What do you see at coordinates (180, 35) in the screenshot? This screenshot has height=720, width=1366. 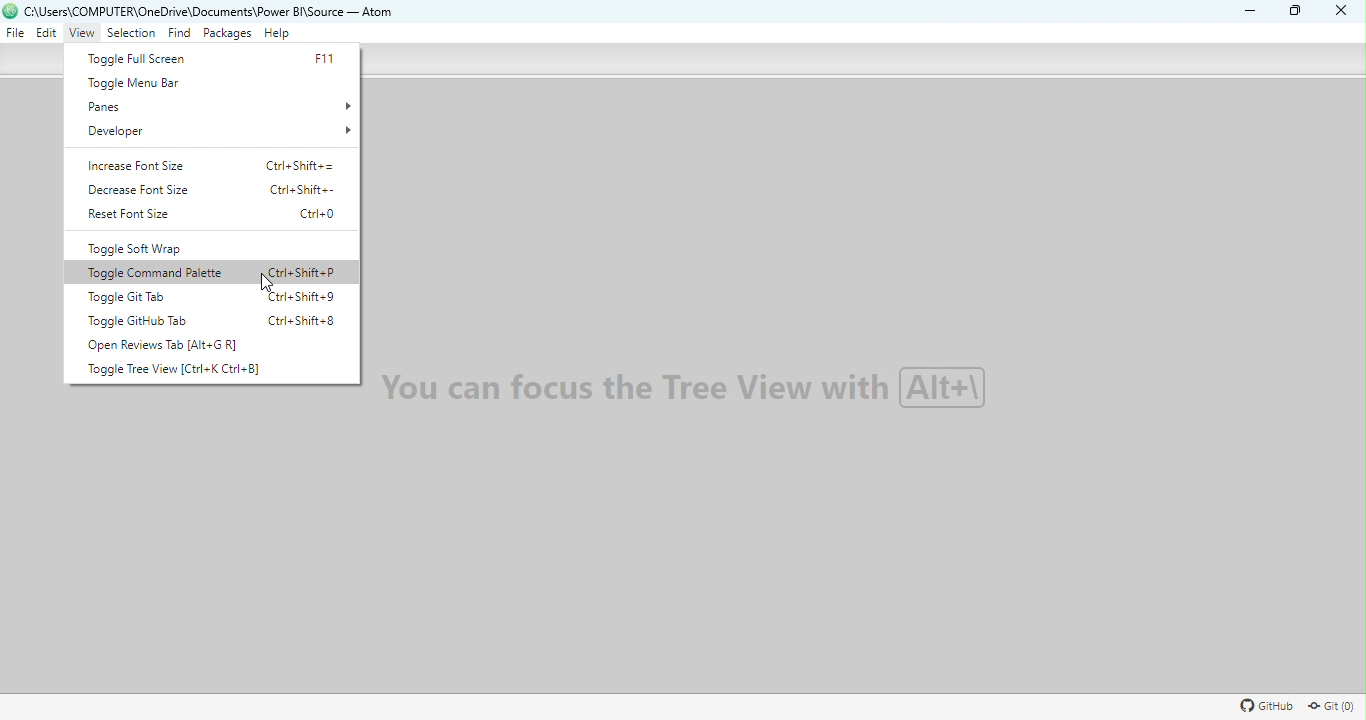 I see `Find` at bounding box center [180, 35].